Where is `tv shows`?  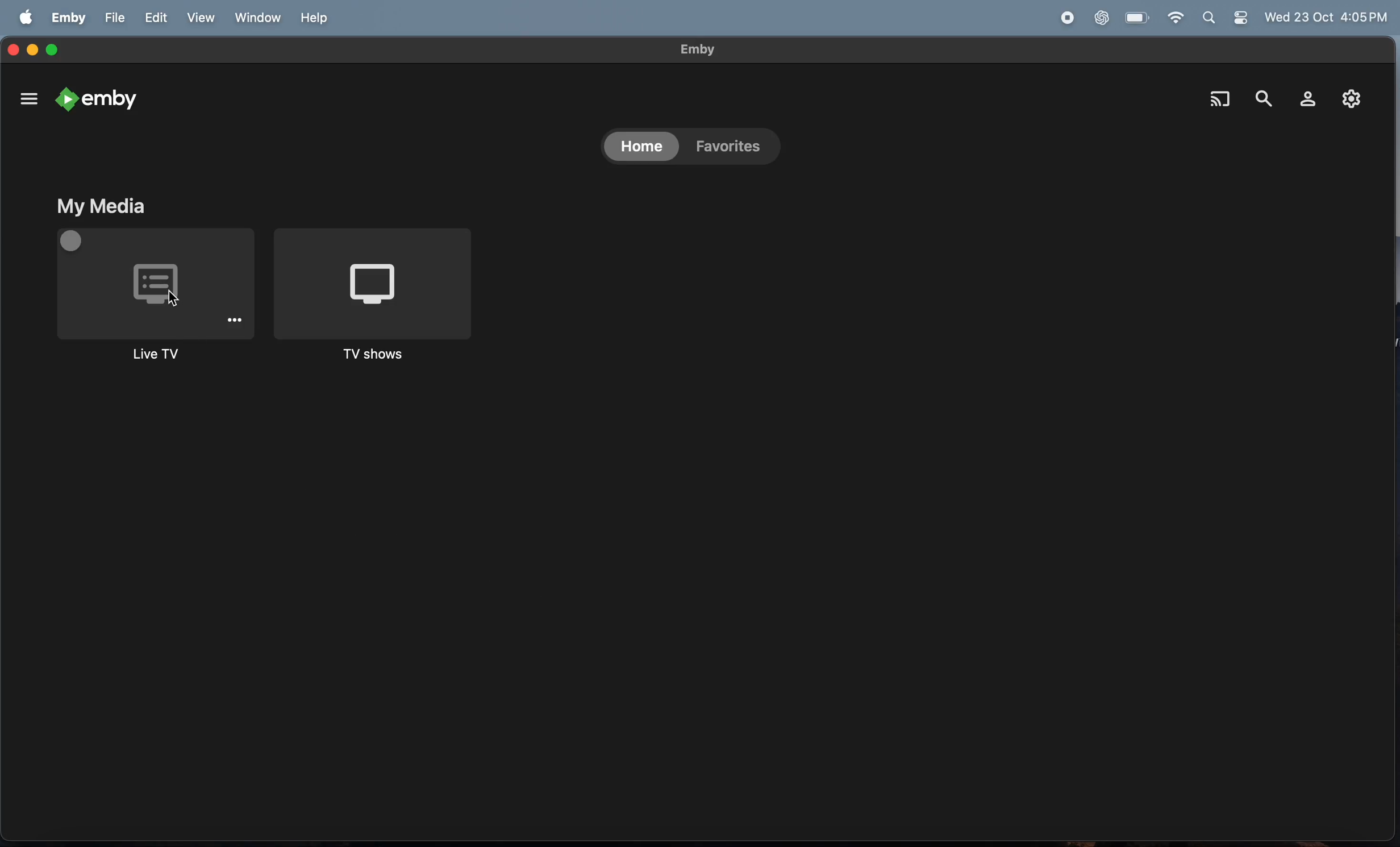 tv shows is located at coordinates (375, 300).